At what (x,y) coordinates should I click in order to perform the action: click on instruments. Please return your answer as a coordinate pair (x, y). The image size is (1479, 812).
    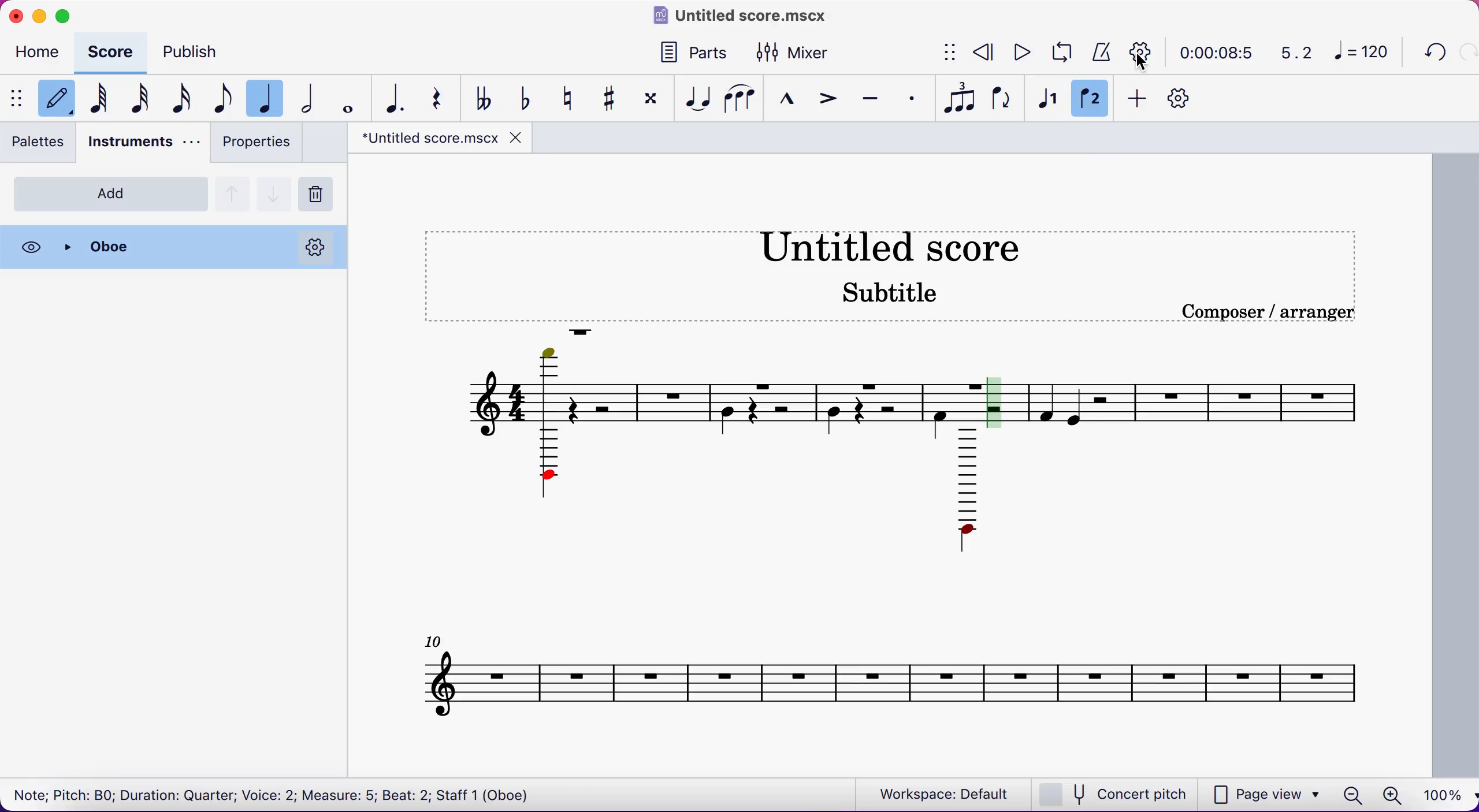
    Looking at the image, I should click on (142, 144).